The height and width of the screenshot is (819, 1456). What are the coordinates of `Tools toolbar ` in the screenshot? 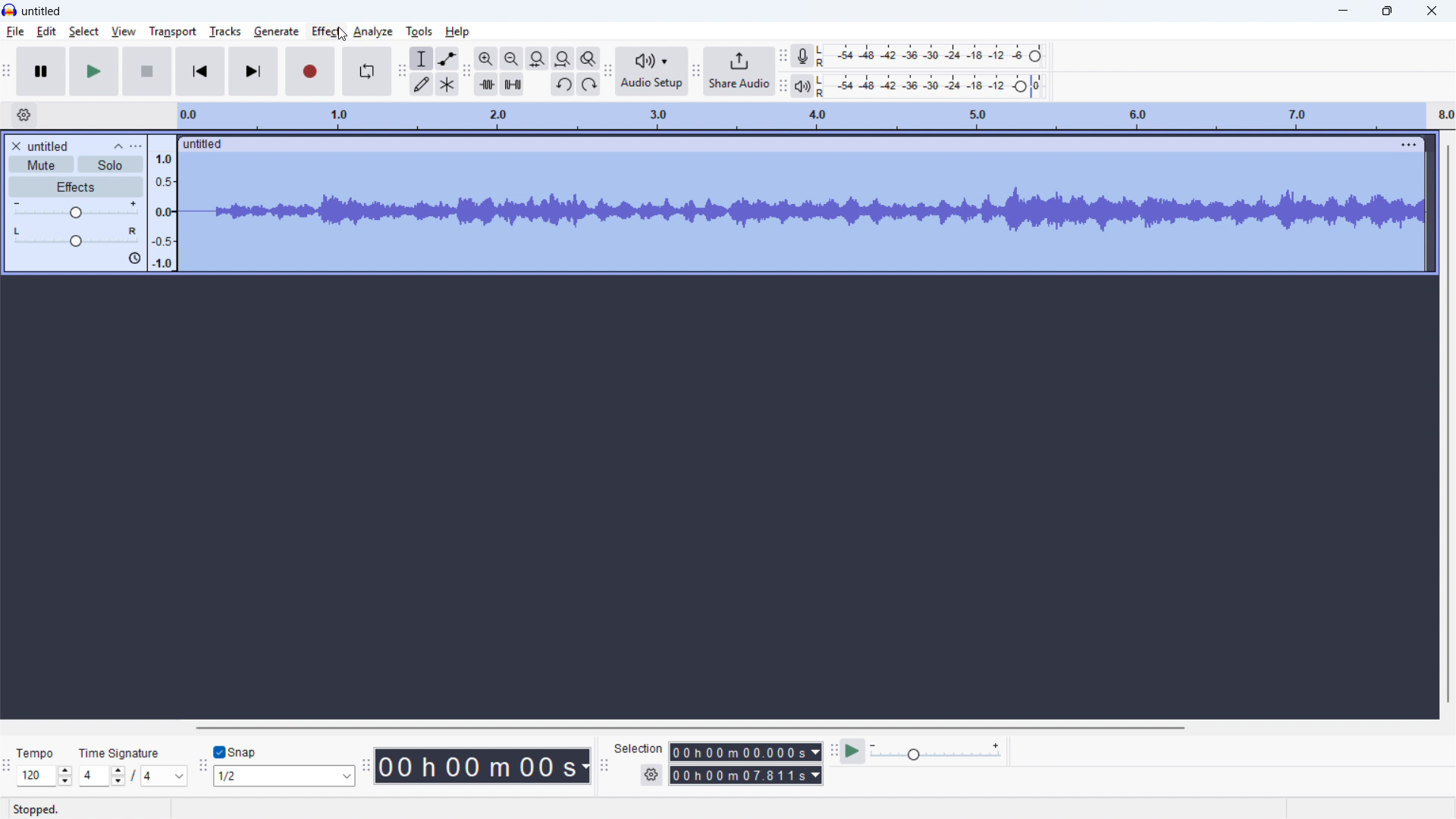 It's located at (401, 71).